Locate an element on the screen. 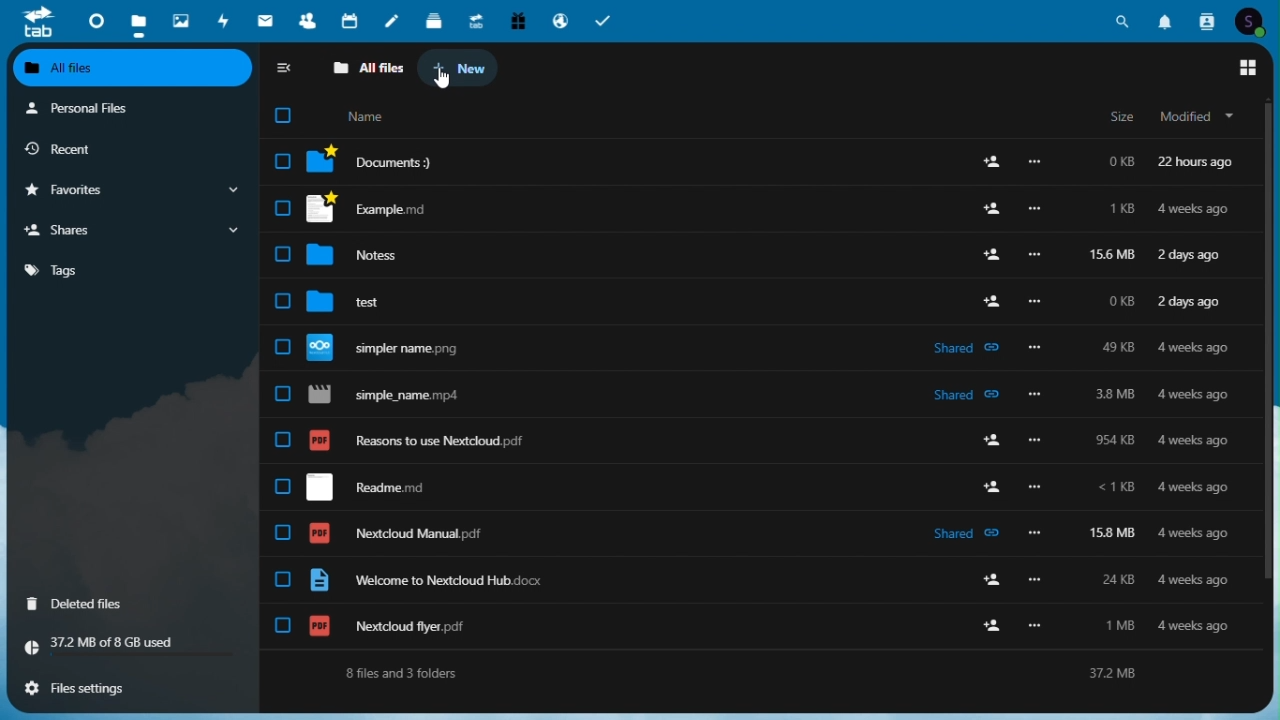  test is located at coordinates (356, 303).